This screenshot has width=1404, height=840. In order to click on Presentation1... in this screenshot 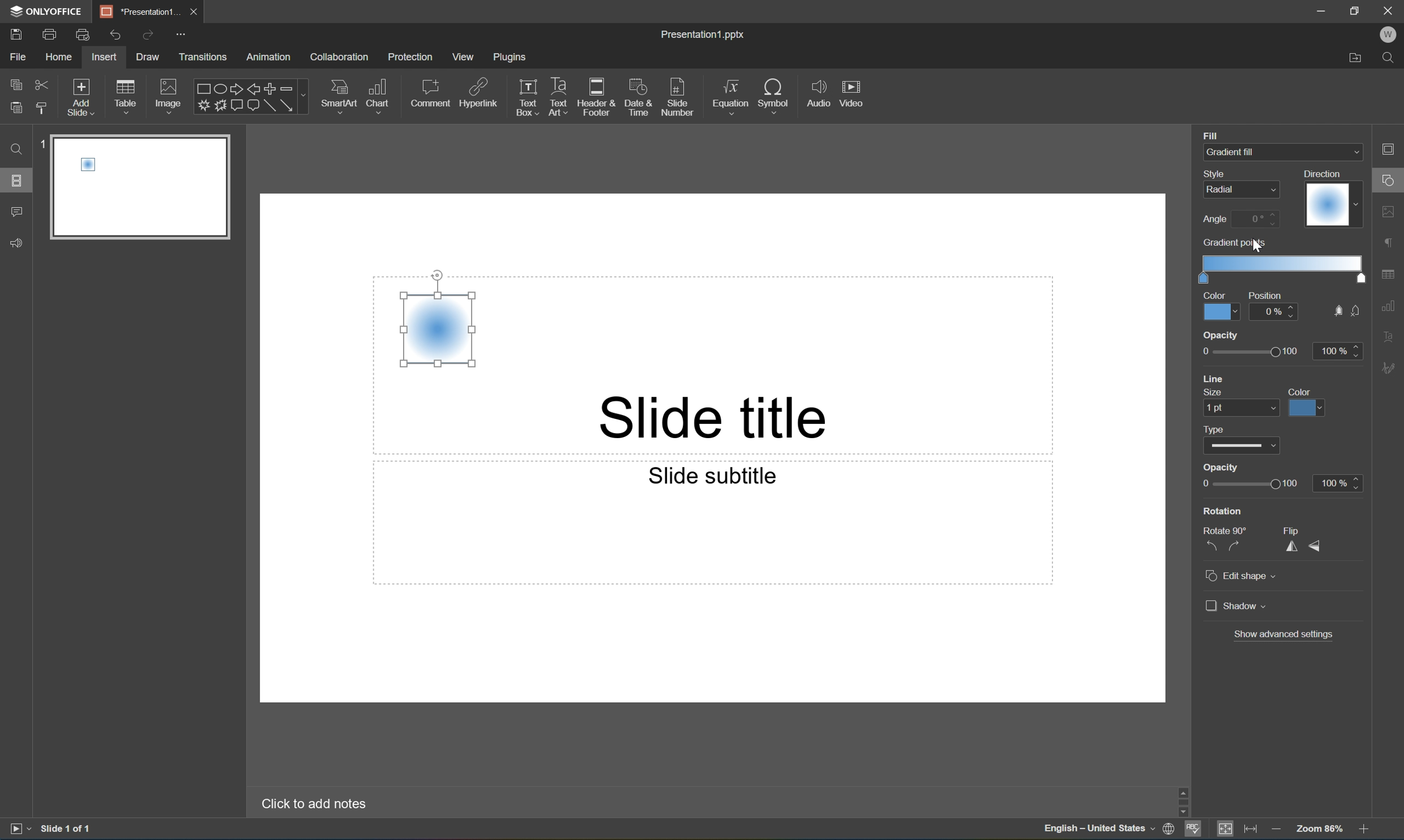, I will do `click(135, 11)`.